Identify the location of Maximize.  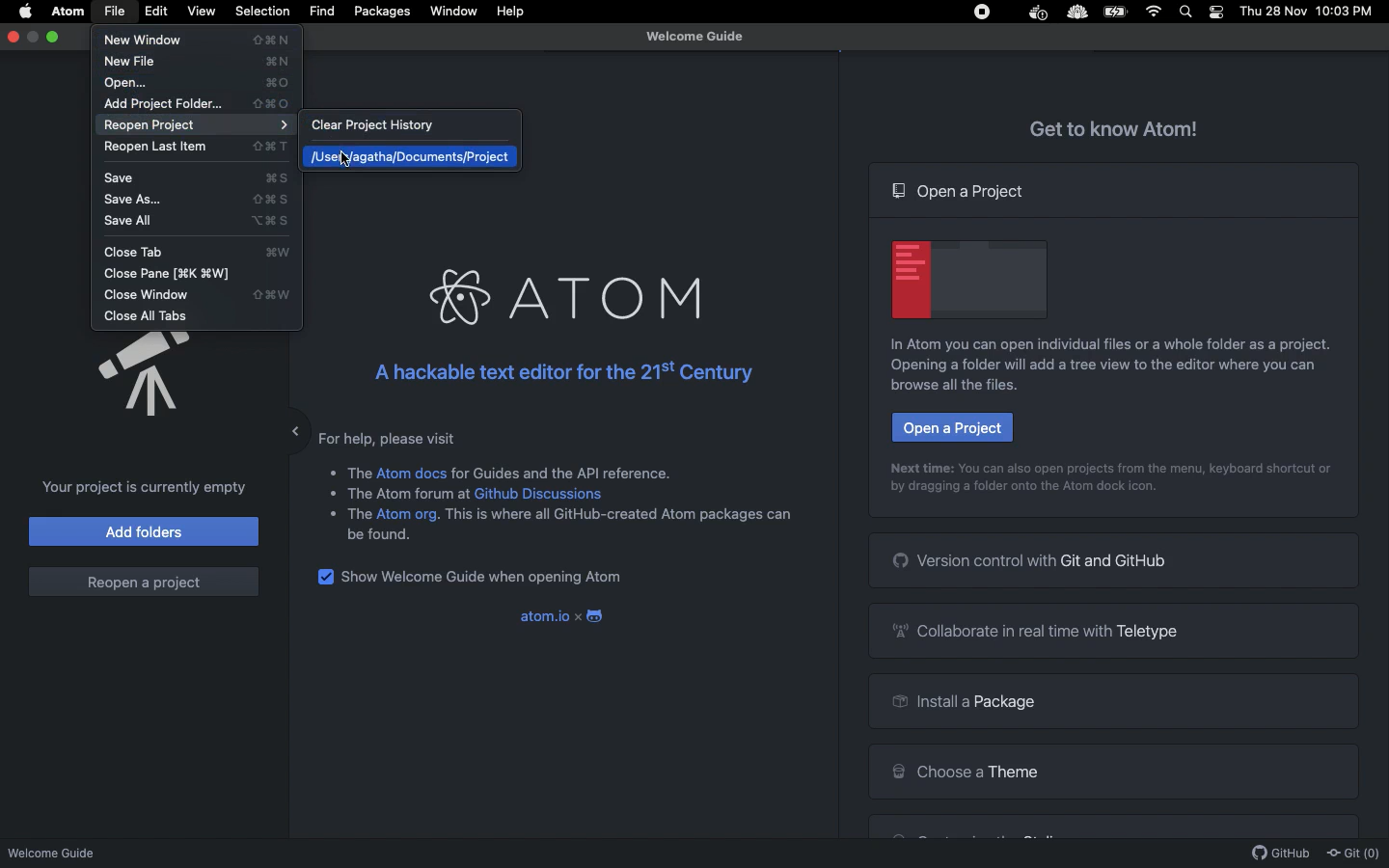
(55, 37).